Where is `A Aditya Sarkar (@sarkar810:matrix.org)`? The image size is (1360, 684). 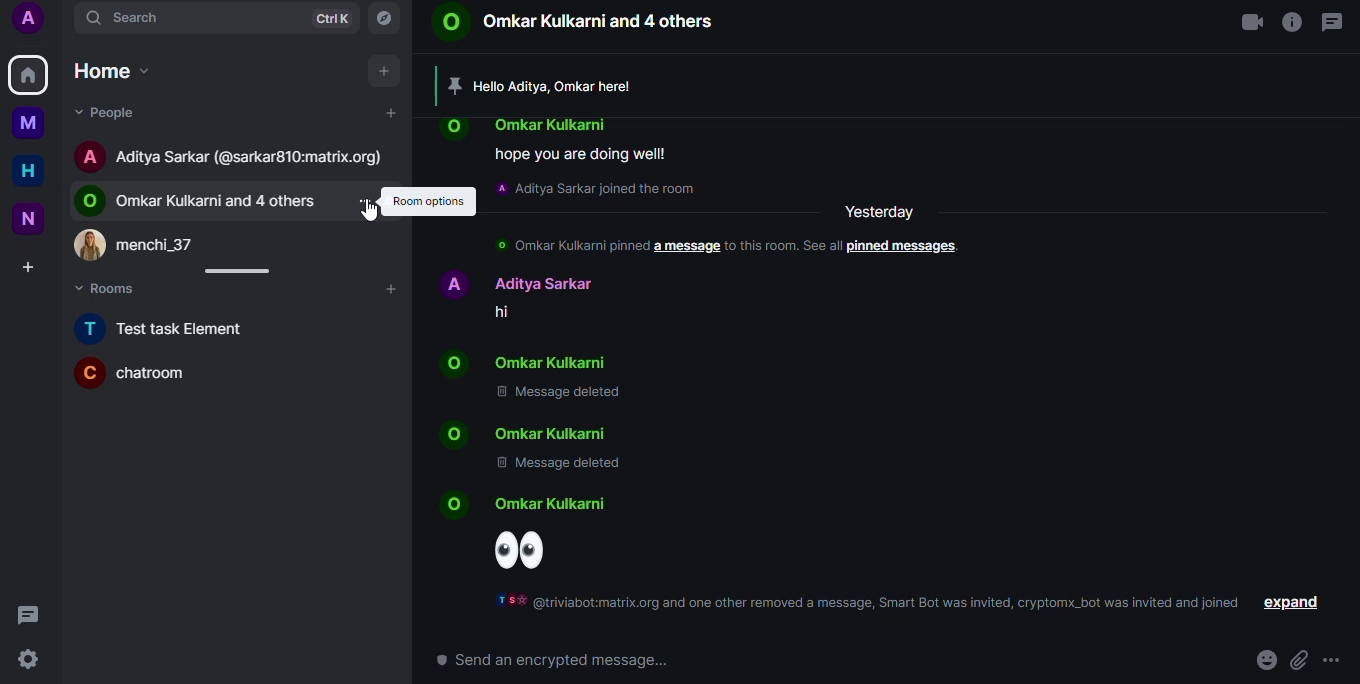 A Aditya Sarkar (@sarkar810:matrix.org) is located at coordinates (253, 158).